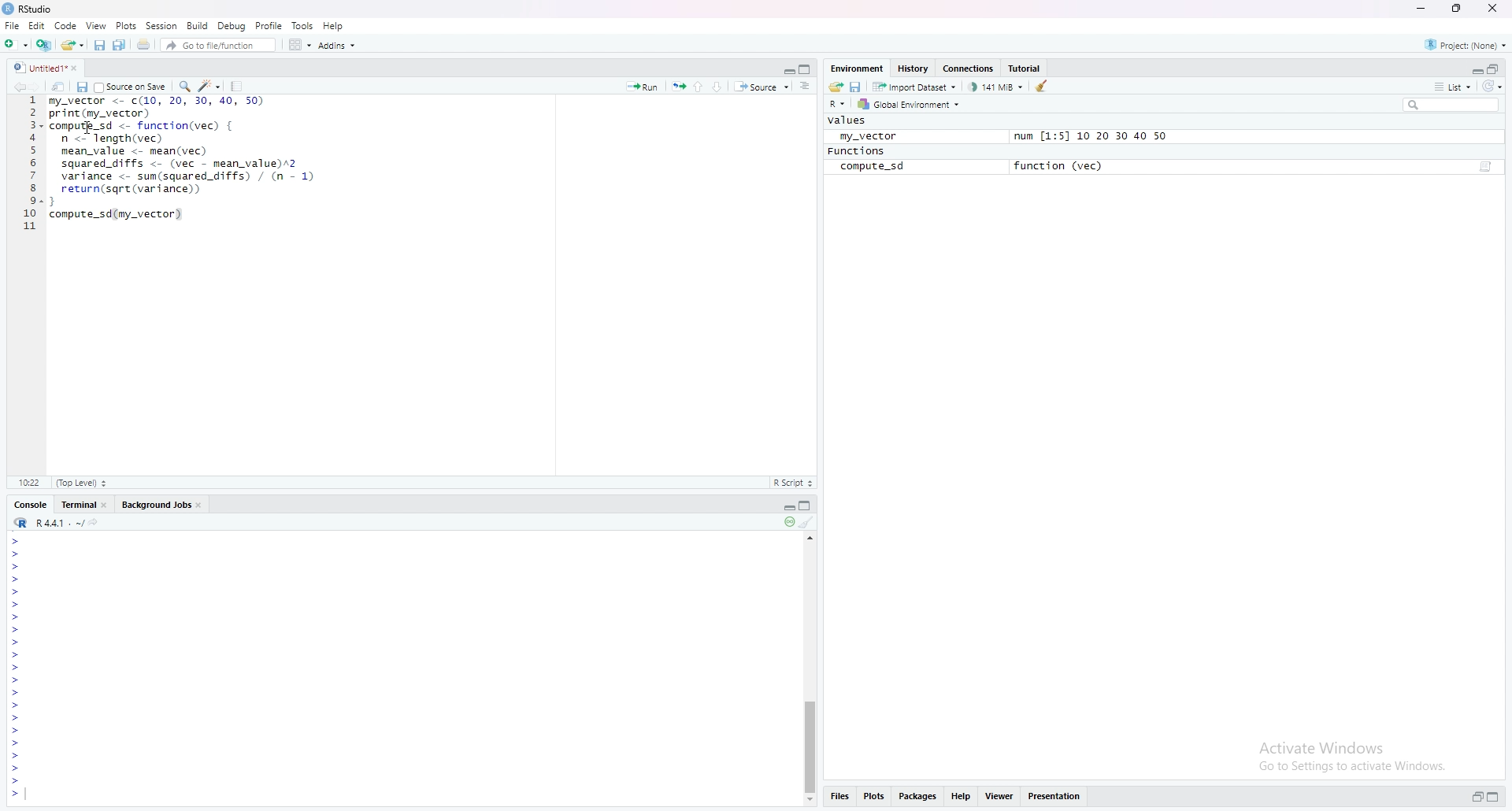 The height and width of the screenshot is (811, 1512). Describe the element at coordinates (232, 25) in the screenshot. I see `Debug` at that location.